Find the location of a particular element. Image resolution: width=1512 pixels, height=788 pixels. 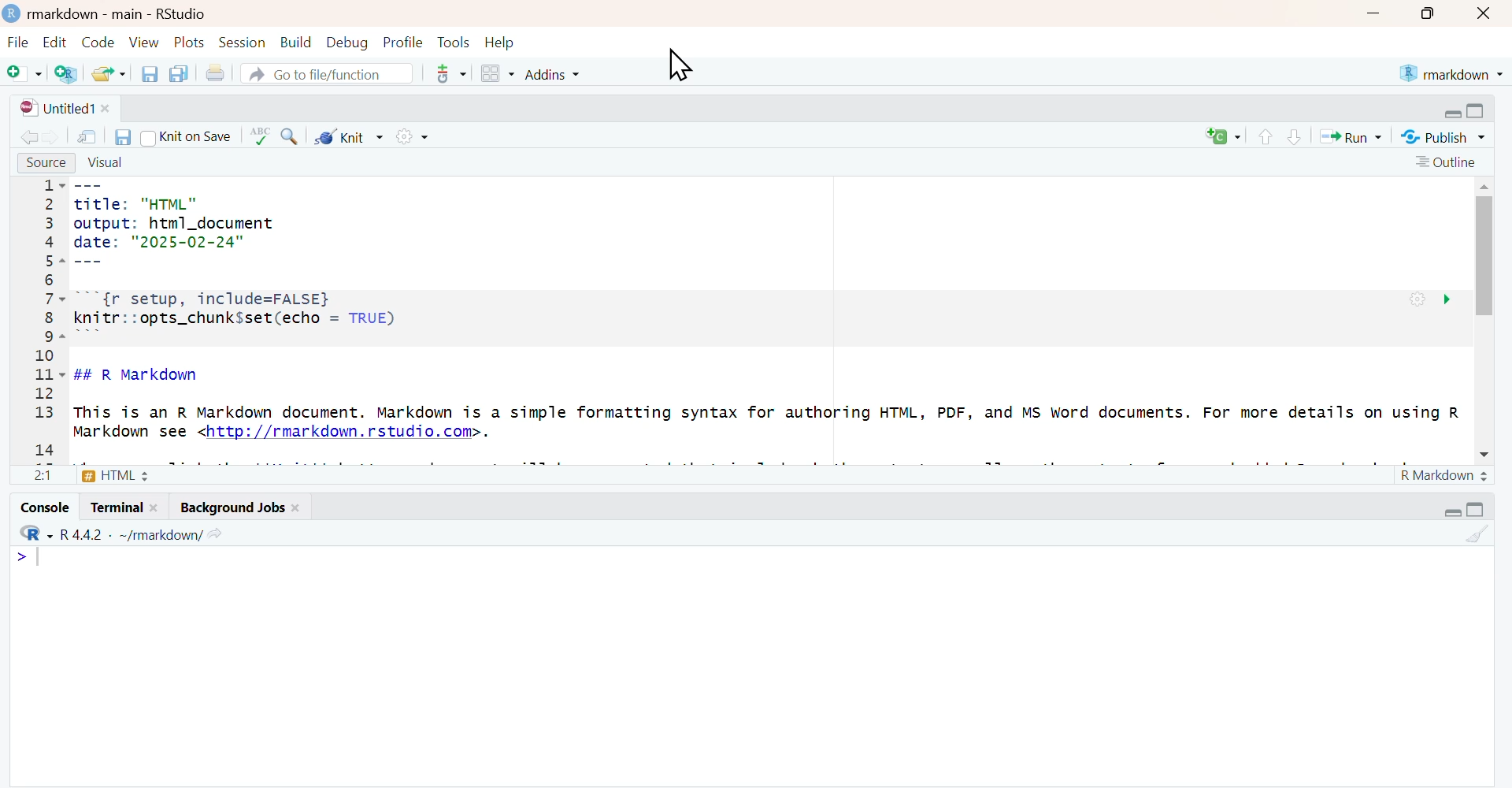

Profile is located at coordinates (402, 43).